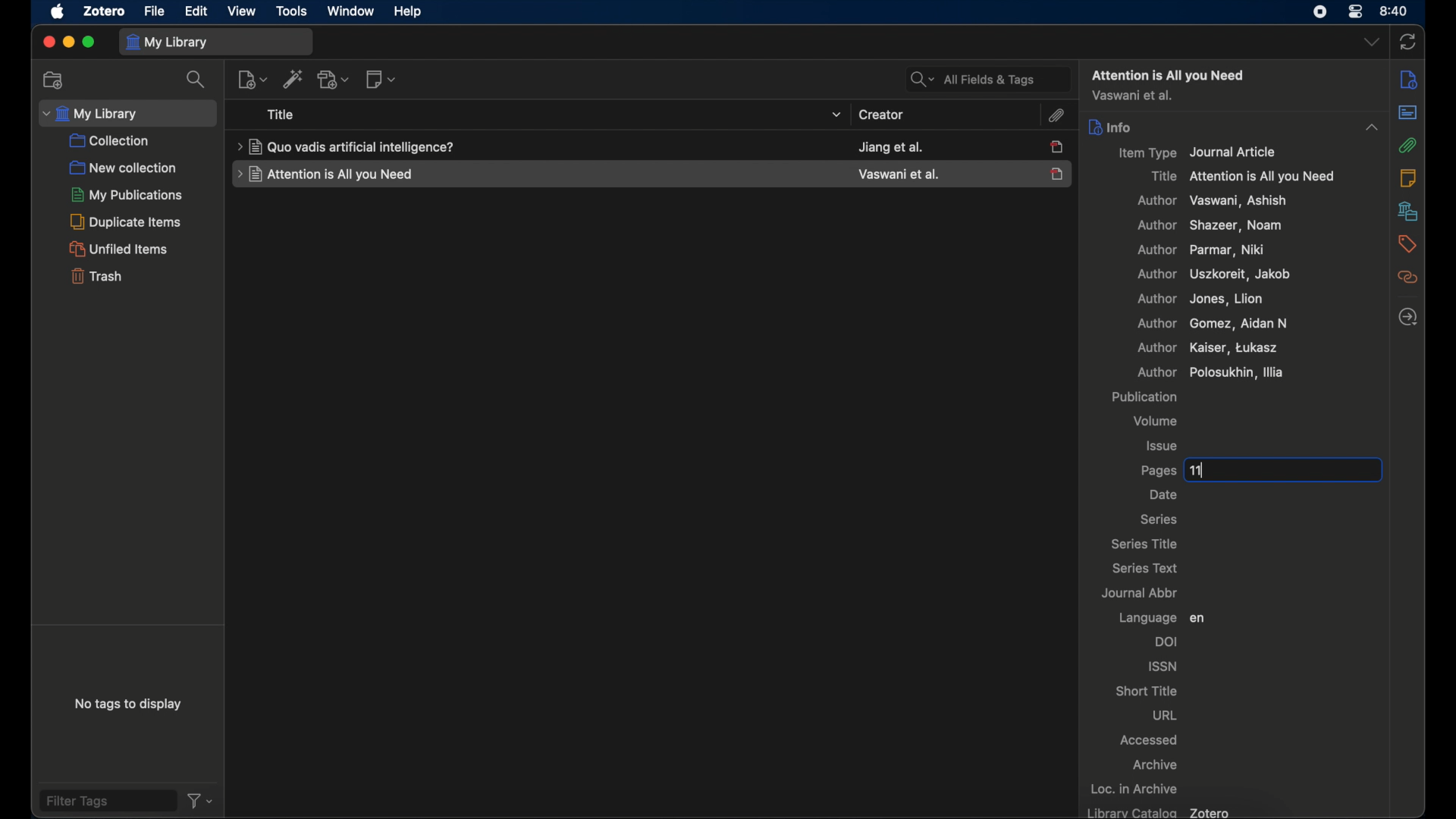 The image size is (1456, 819). Describe the element at coordinates (293, 80) in the screenshot. I see `add. items by identifier ` at that location.